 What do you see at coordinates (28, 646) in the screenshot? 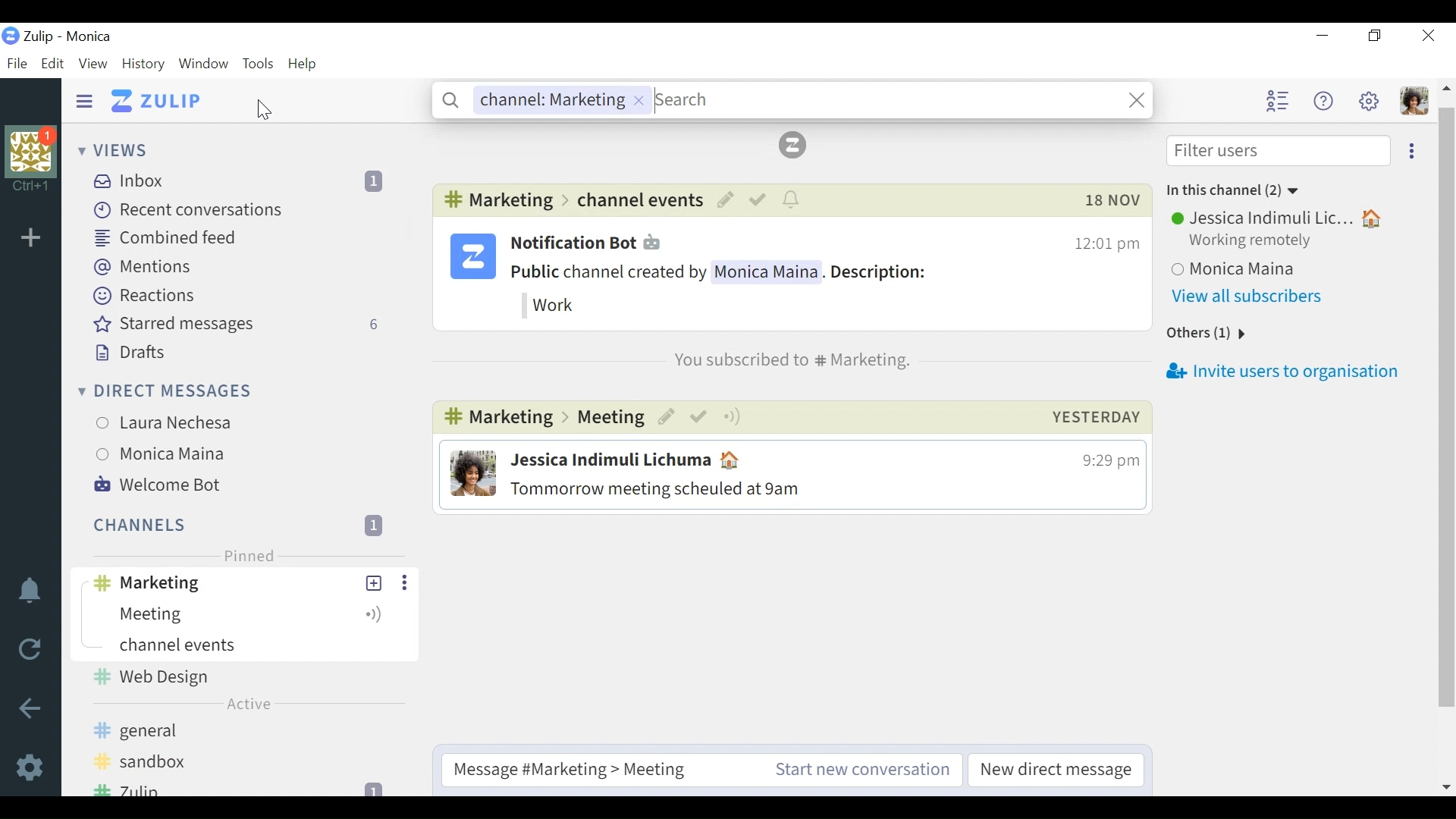
I see `Reload` at bounding box center [28, 646].